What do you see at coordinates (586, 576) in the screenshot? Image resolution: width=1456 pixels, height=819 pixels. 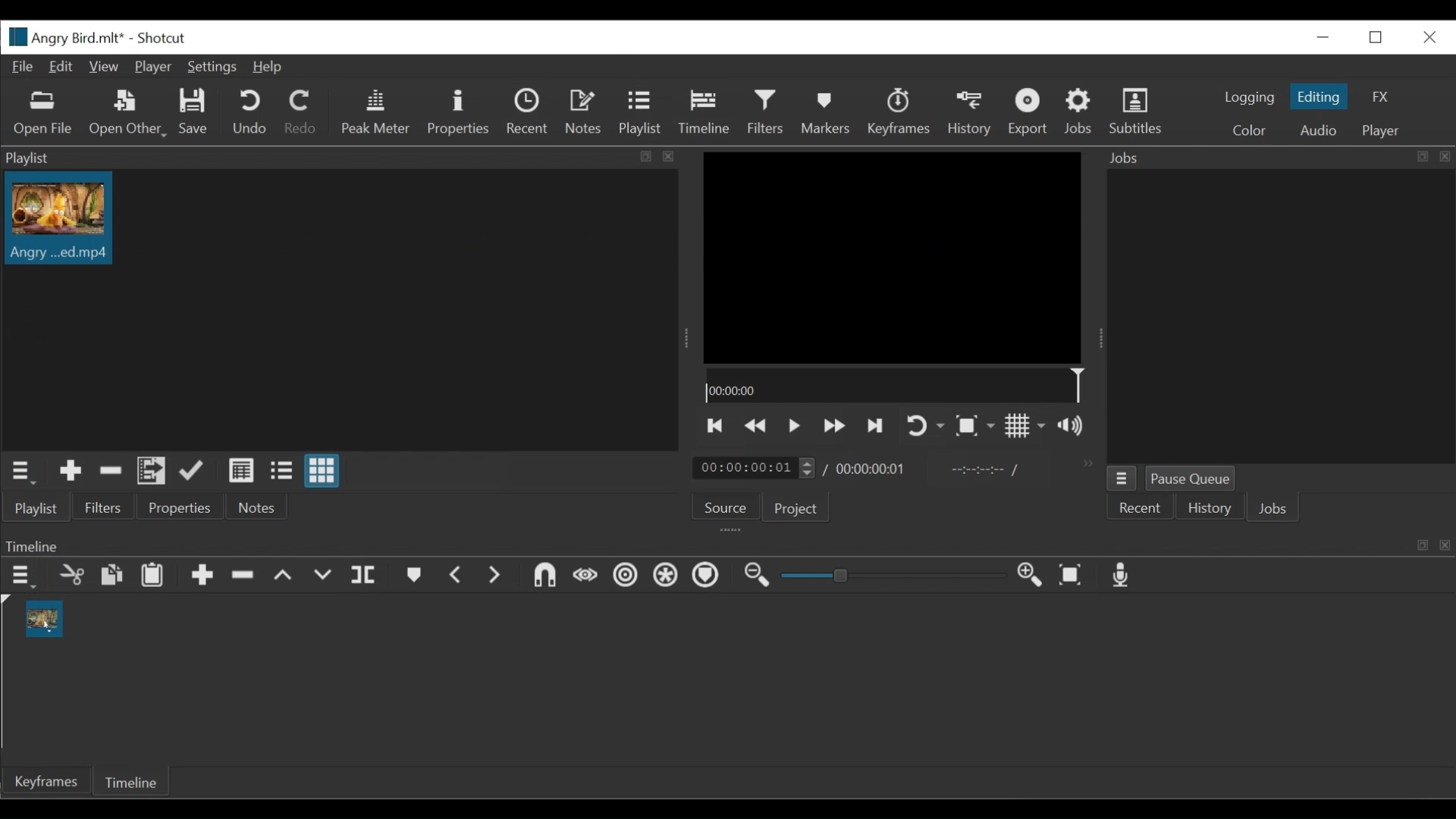 I see `Scrub while dragging` at bounding box center [586, 576].